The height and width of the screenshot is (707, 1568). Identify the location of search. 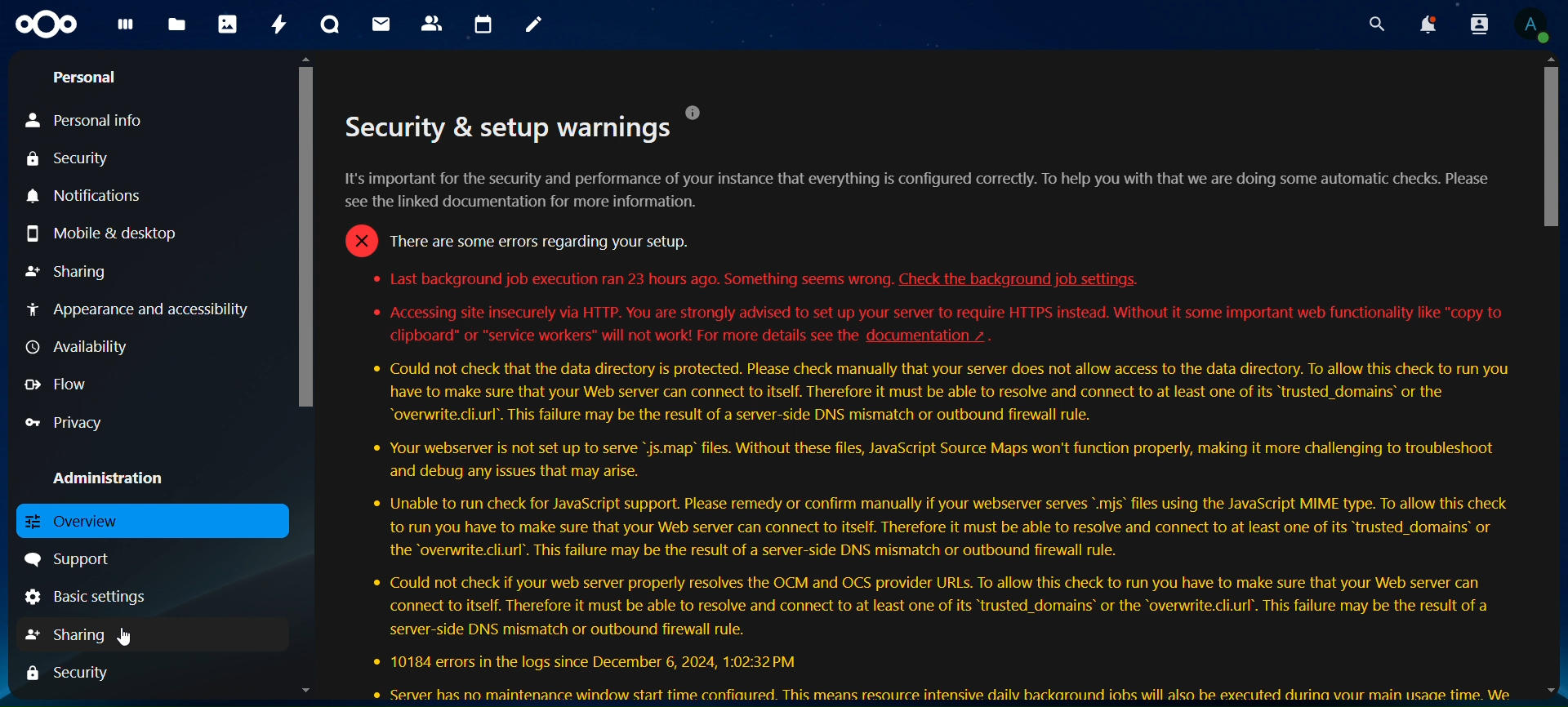
(1374, 24).